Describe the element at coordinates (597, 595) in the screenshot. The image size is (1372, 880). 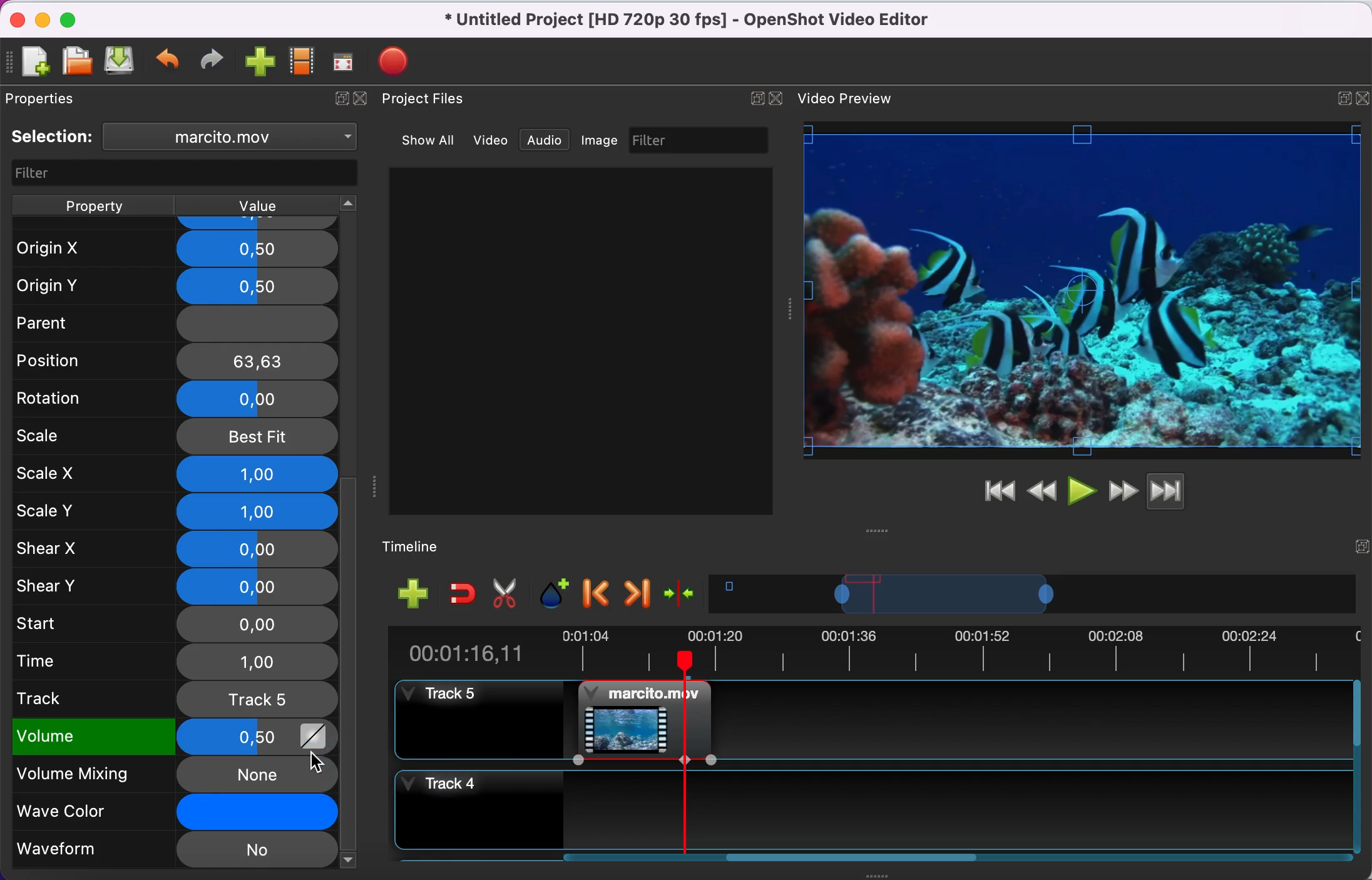
I see `previous marker` at that location.